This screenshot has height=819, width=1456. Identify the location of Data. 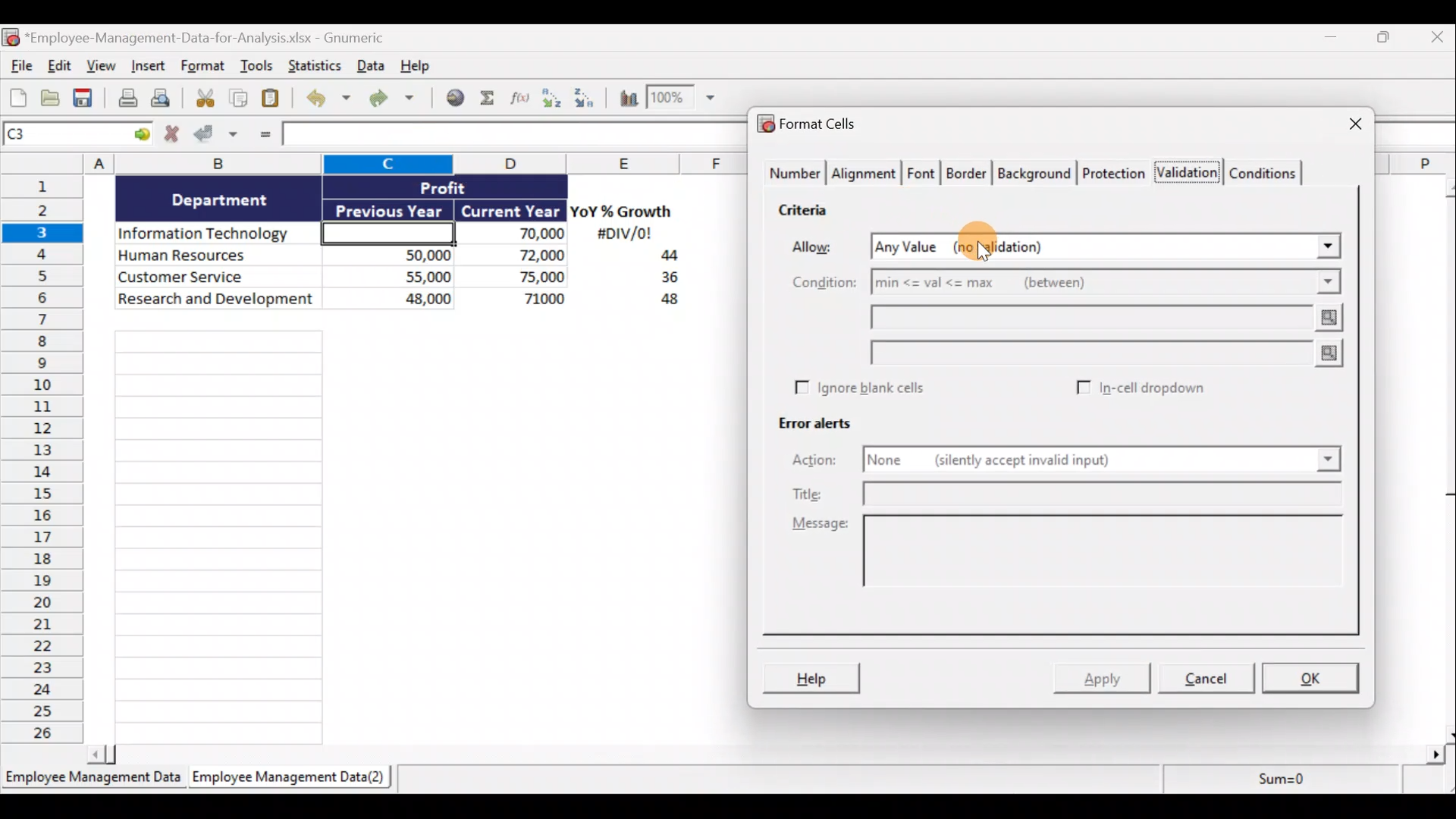
(369, 65).